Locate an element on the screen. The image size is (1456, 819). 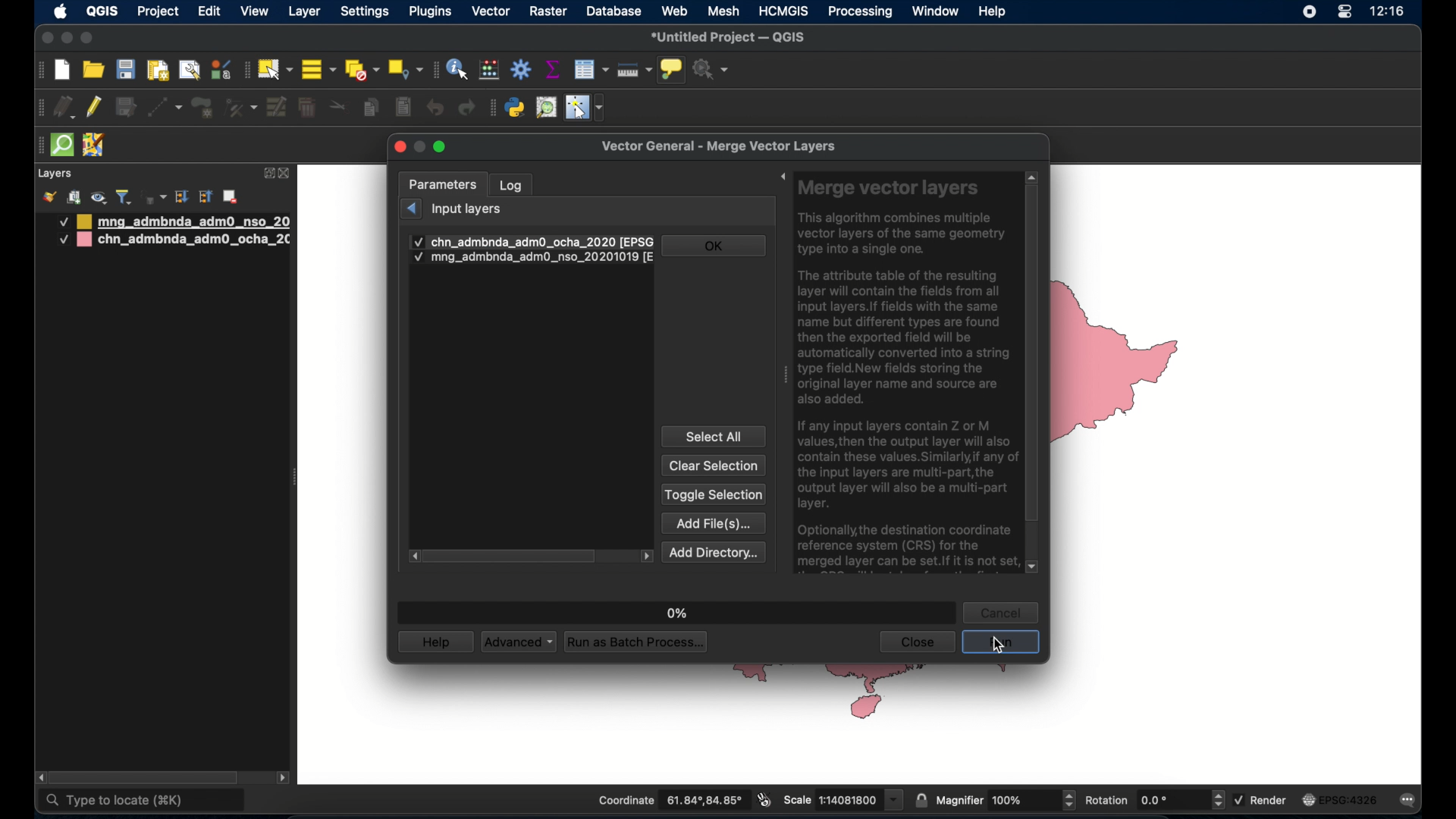
open field calculator is located at coordinates (489, 69).